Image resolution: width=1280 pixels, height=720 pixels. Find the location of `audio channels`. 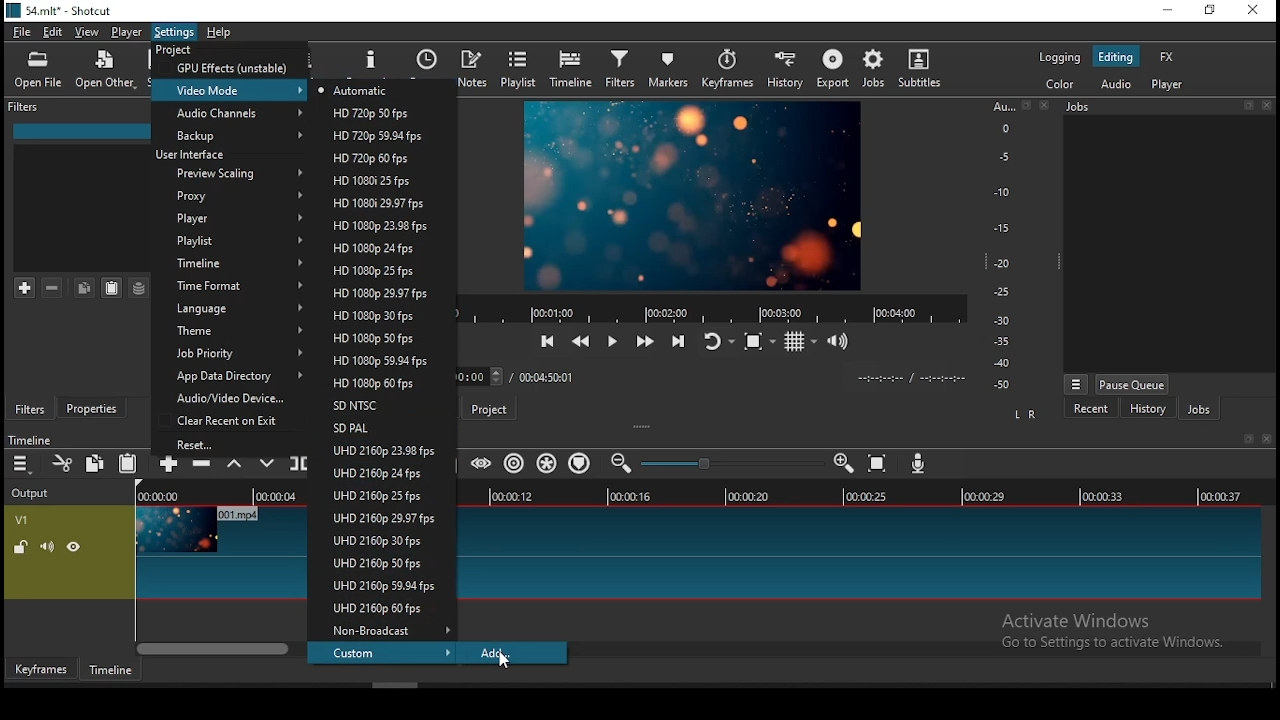

audio channels is located at coordinates (232, 113).